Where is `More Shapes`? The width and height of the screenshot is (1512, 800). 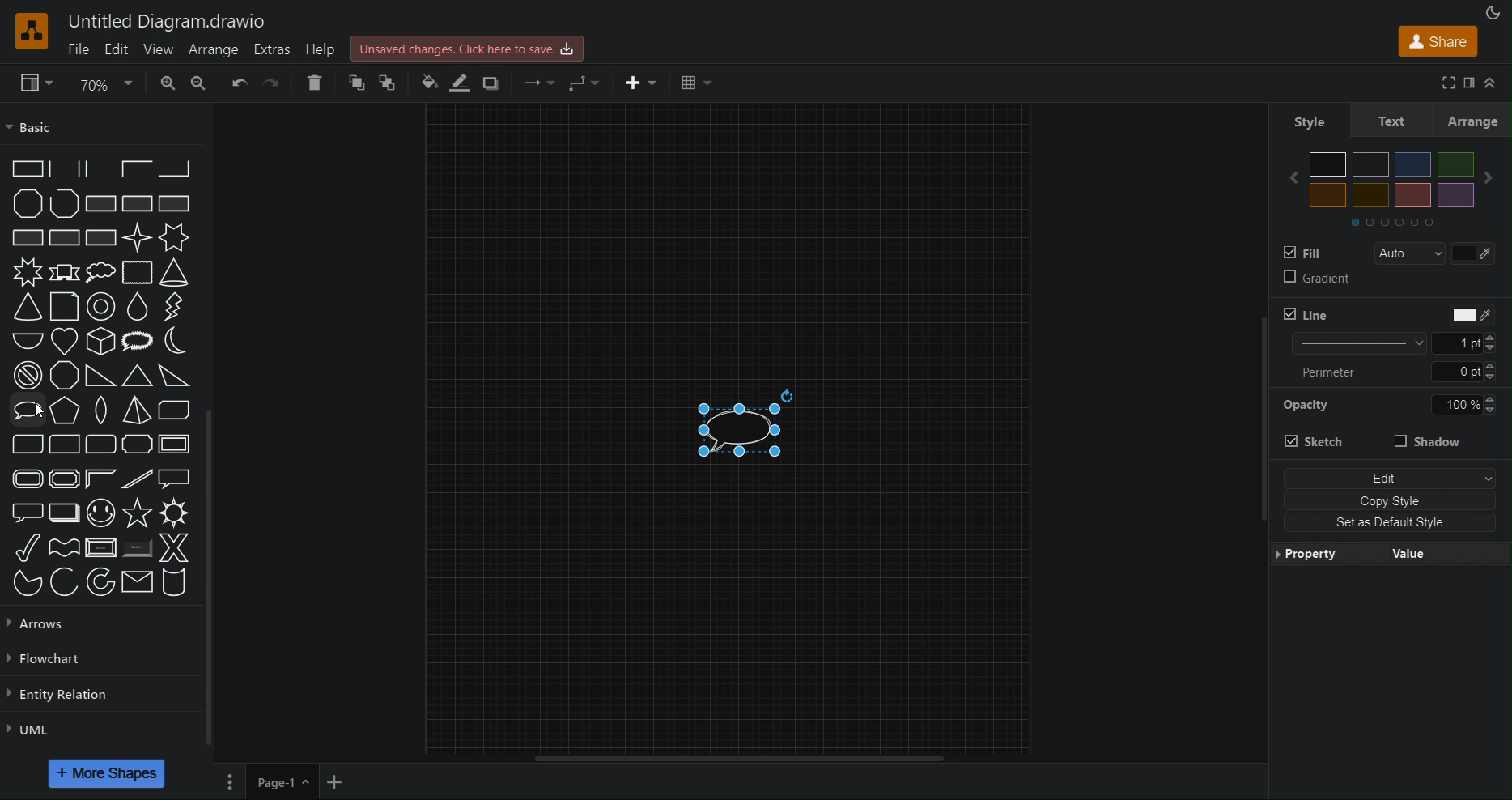 More Shapes is located at coordinates (111, 775).